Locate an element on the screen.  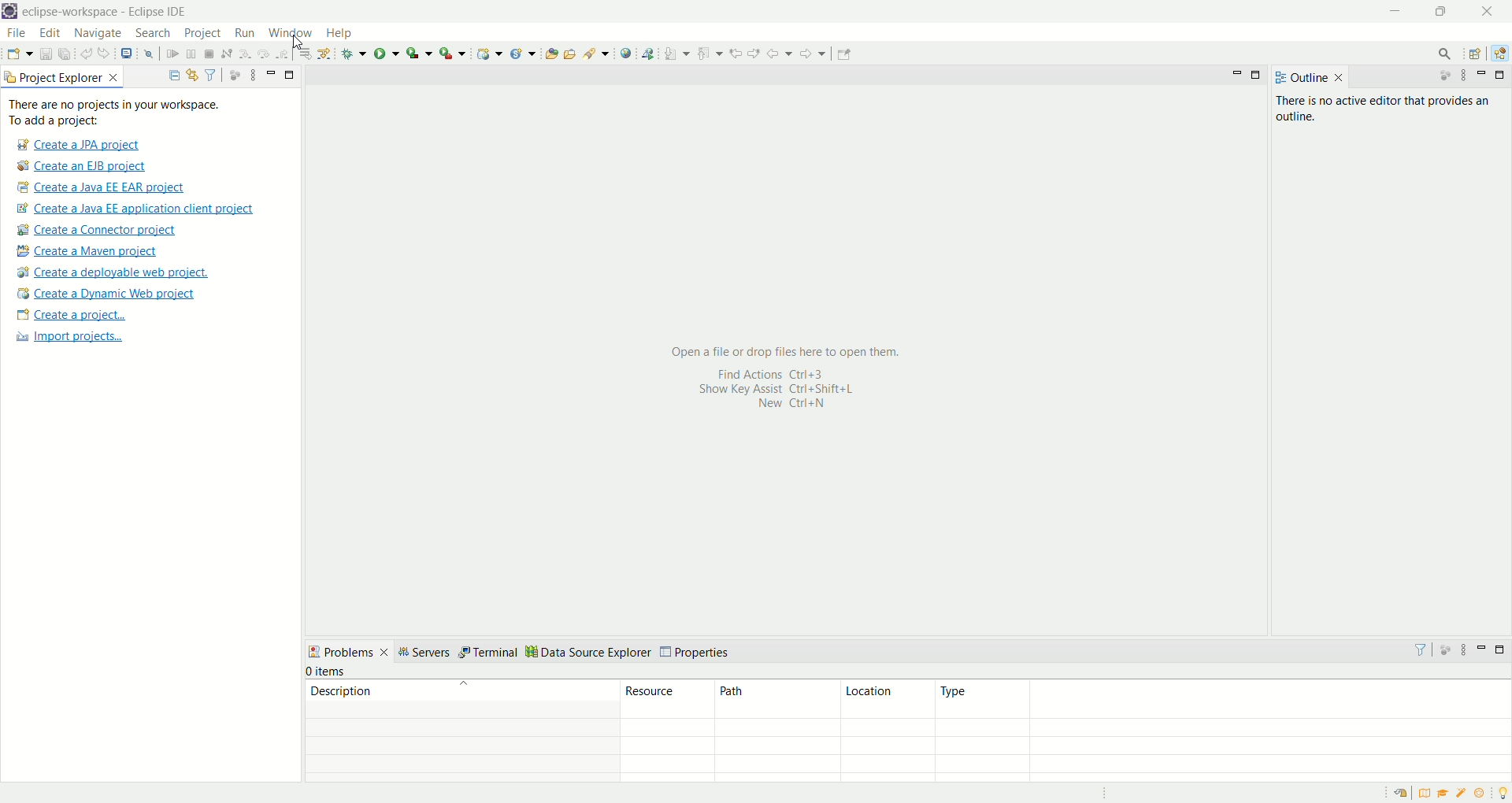
save is located at coordinates (47, 54).